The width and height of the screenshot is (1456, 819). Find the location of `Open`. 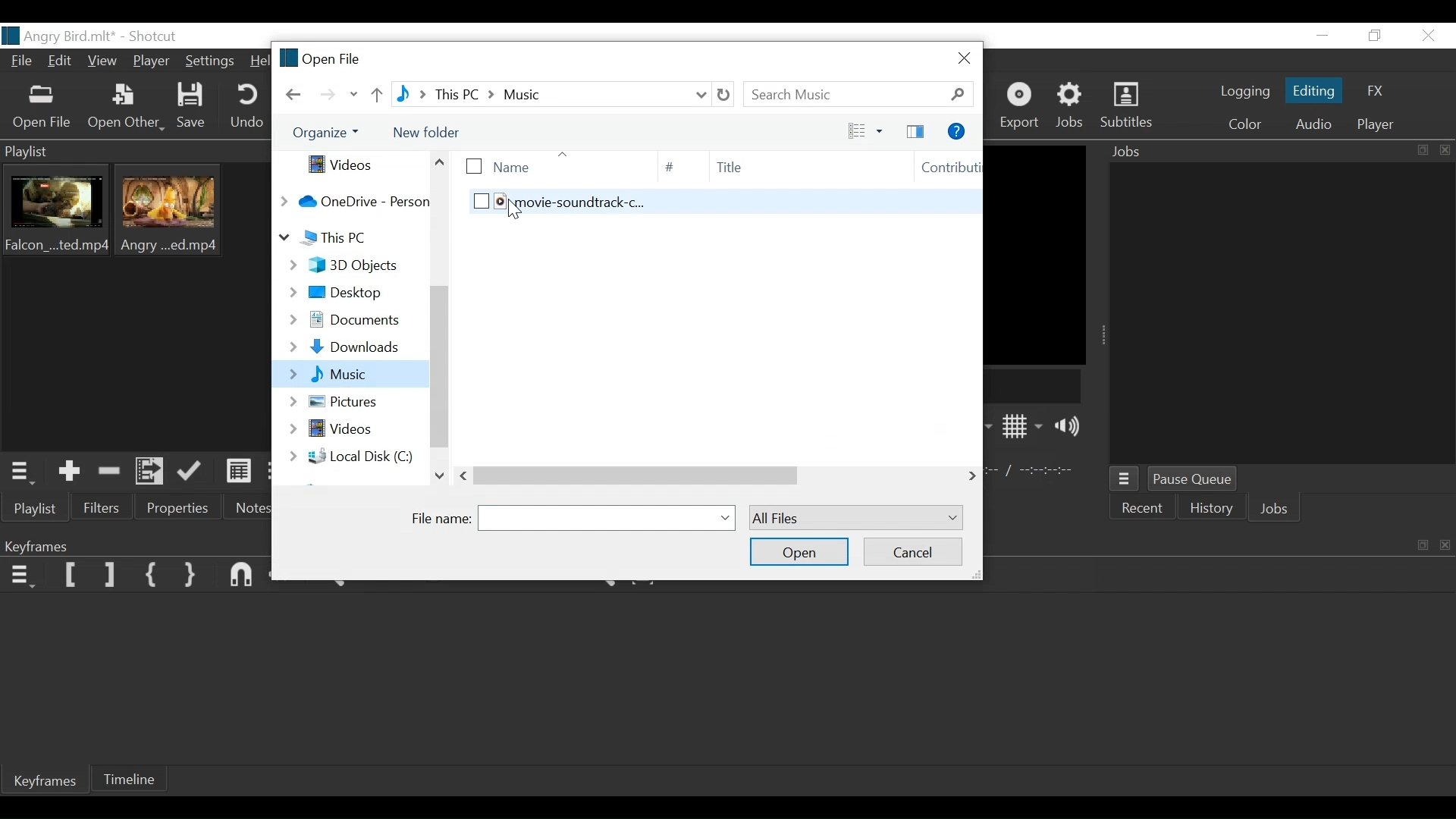

Open is located at coordinates (799, 551).